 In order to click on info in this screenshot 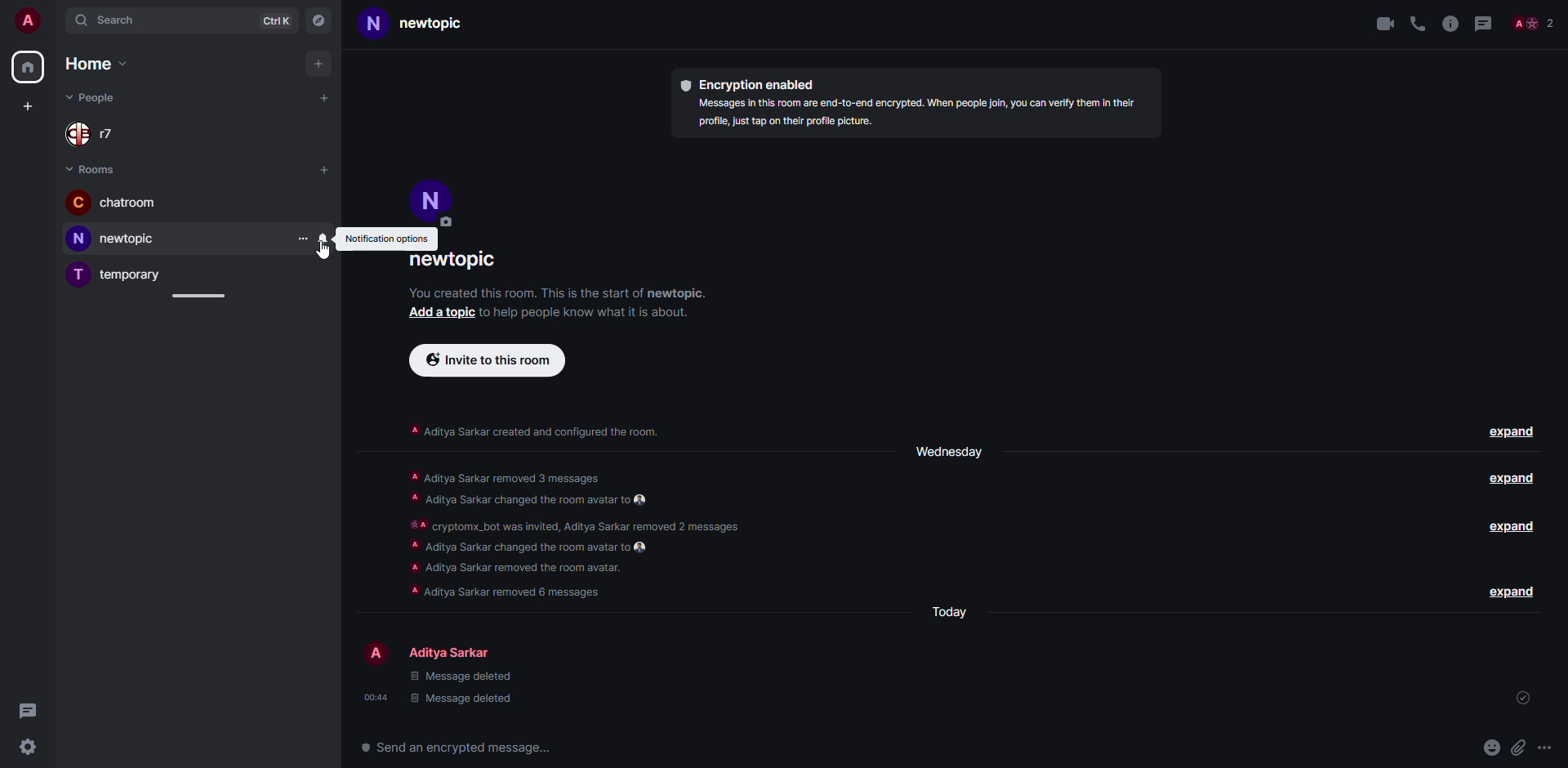, I will do `click(1450, 23)`.